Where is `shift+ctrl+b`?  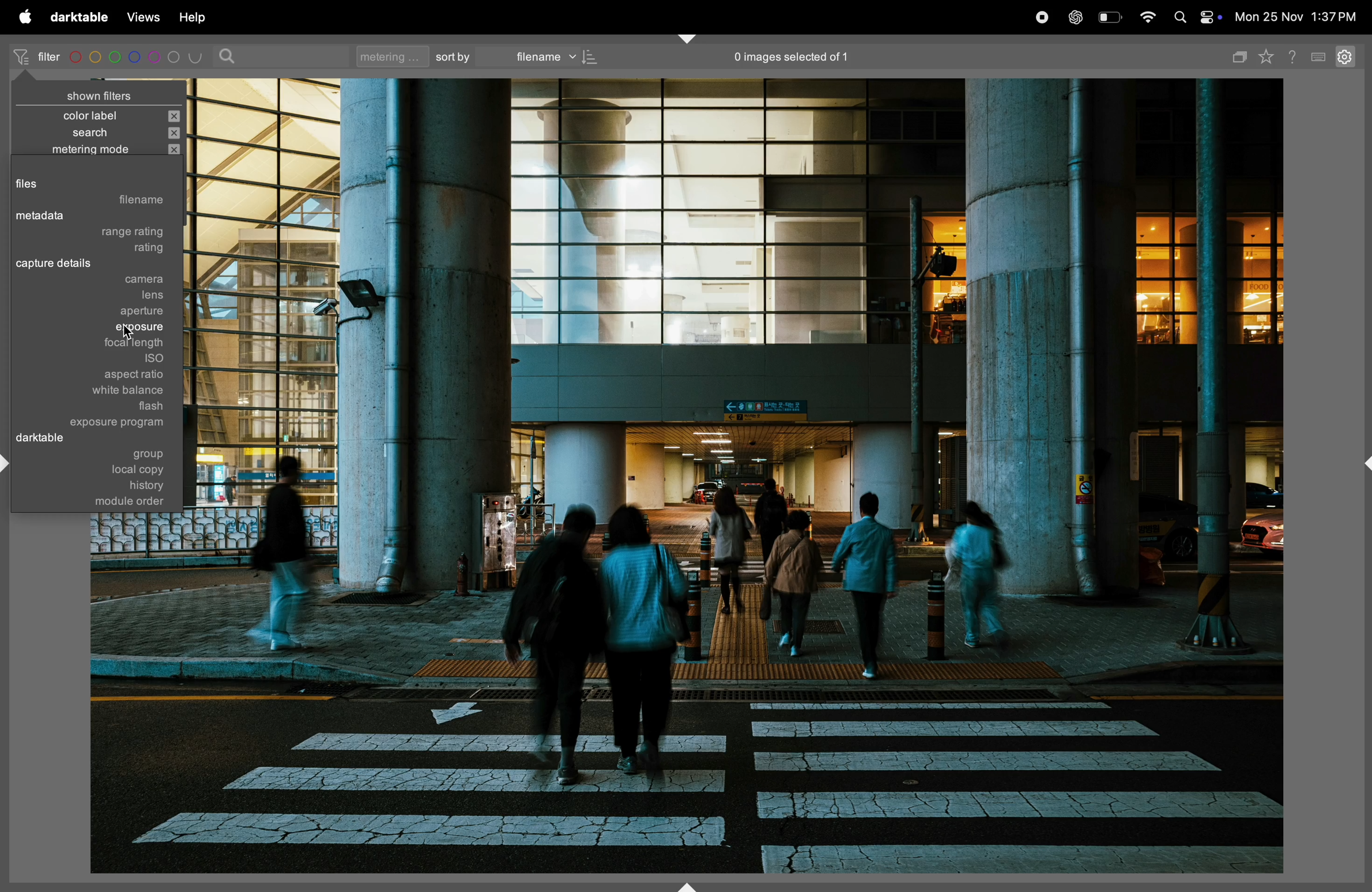 shift+ctrl+b is located at coordinates (688, 886).